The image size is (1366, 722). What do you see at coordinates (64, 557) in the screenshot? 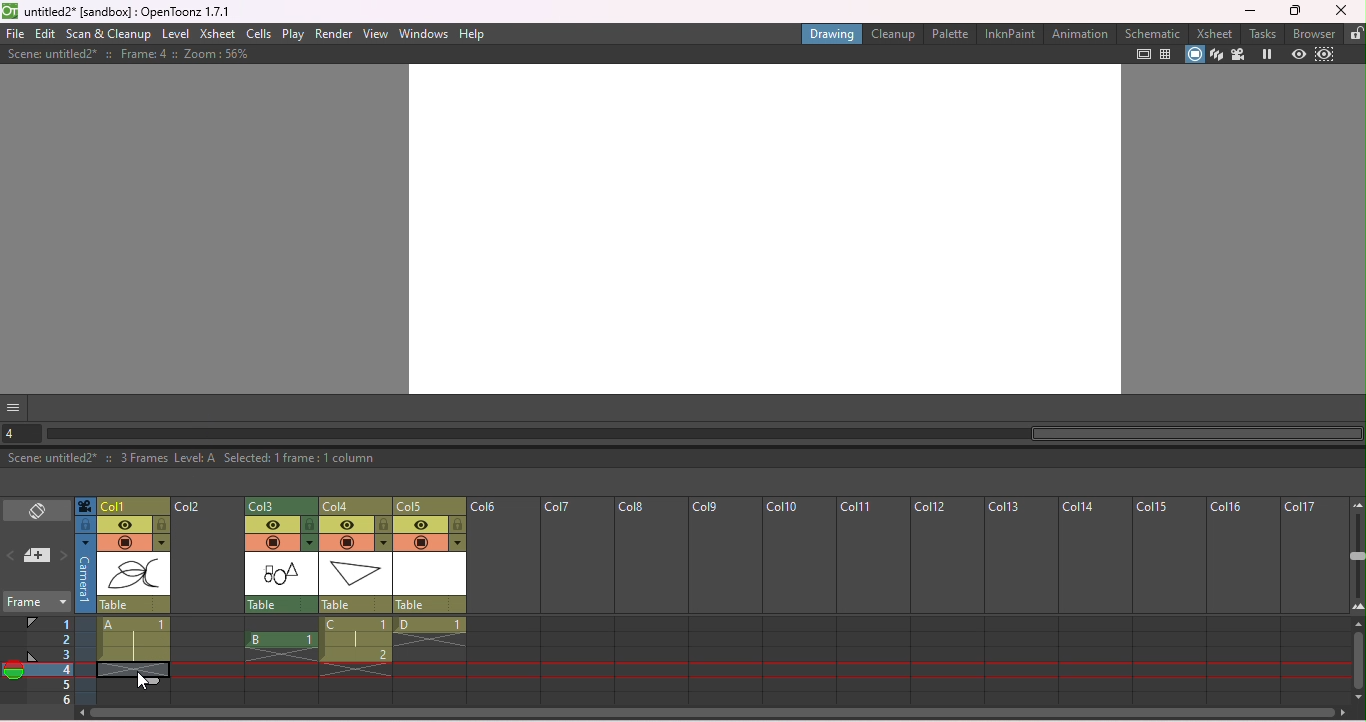
I see `Next memo` at bounding box center [64, 557].